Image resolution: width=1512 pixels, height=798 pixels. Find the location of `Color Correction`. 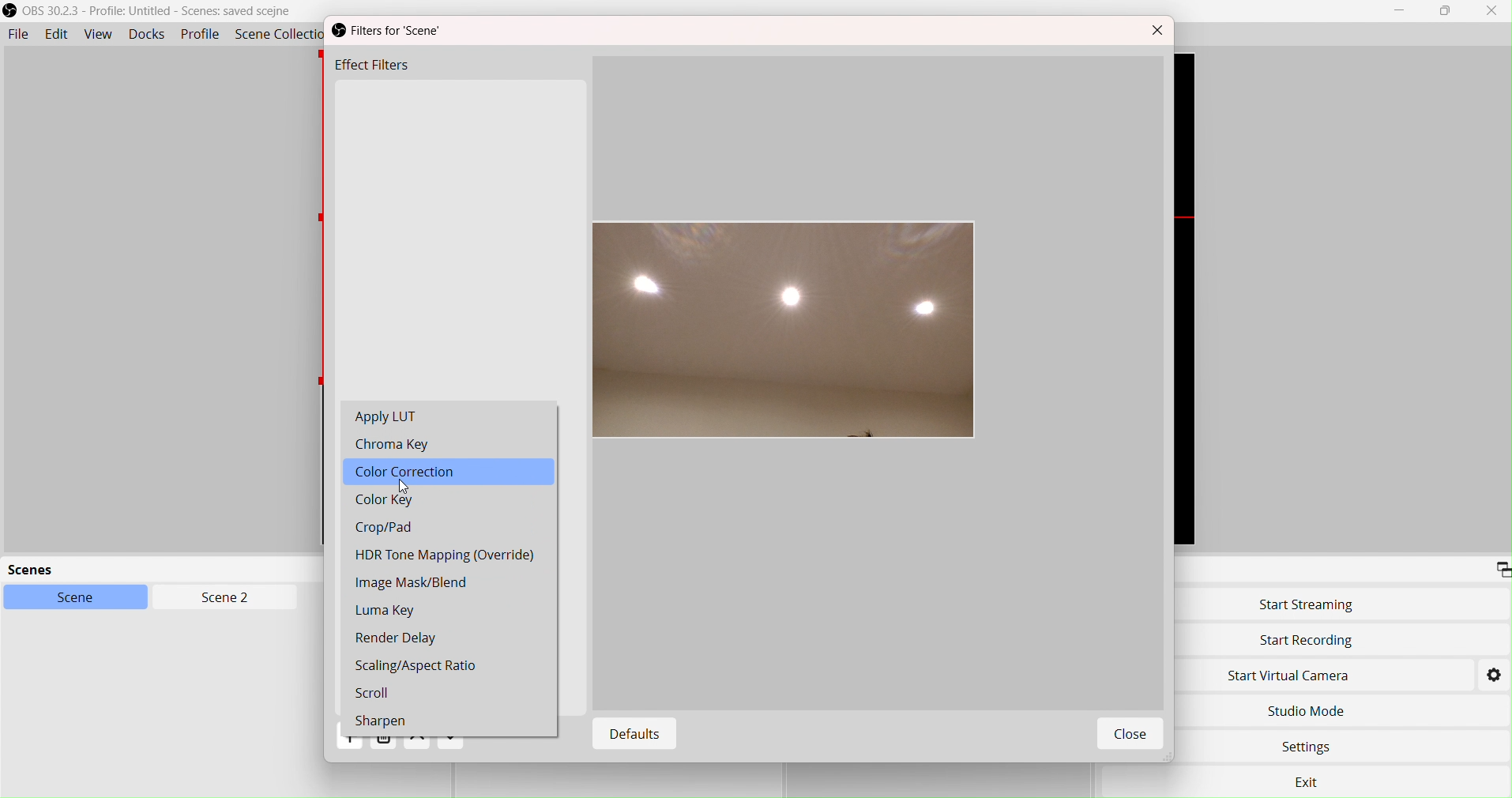

Color Correction is located at coordinates (409, 476).